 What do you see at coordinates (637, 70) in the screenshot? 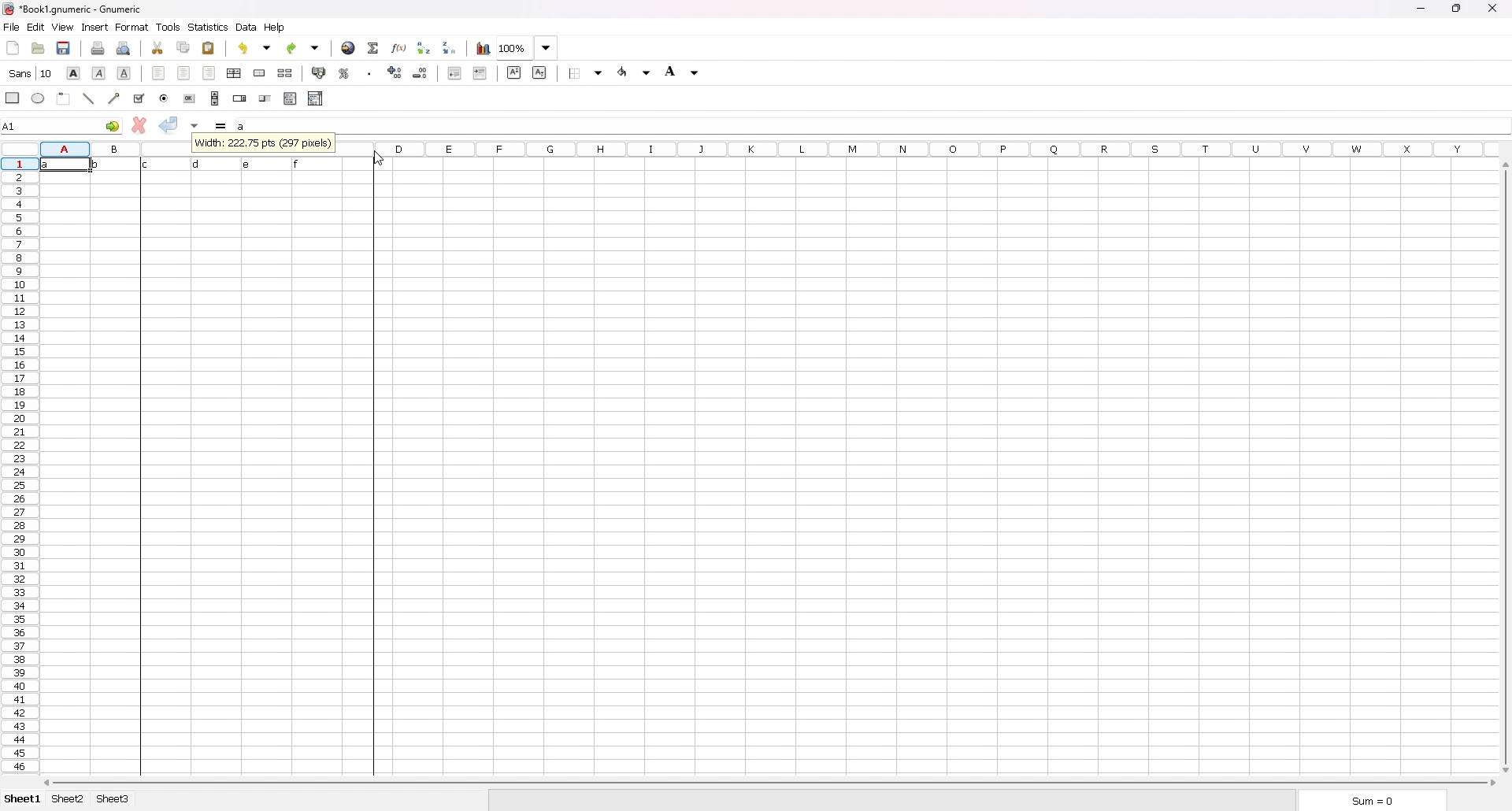
I see `foreground` at bounding box center [637, 70].